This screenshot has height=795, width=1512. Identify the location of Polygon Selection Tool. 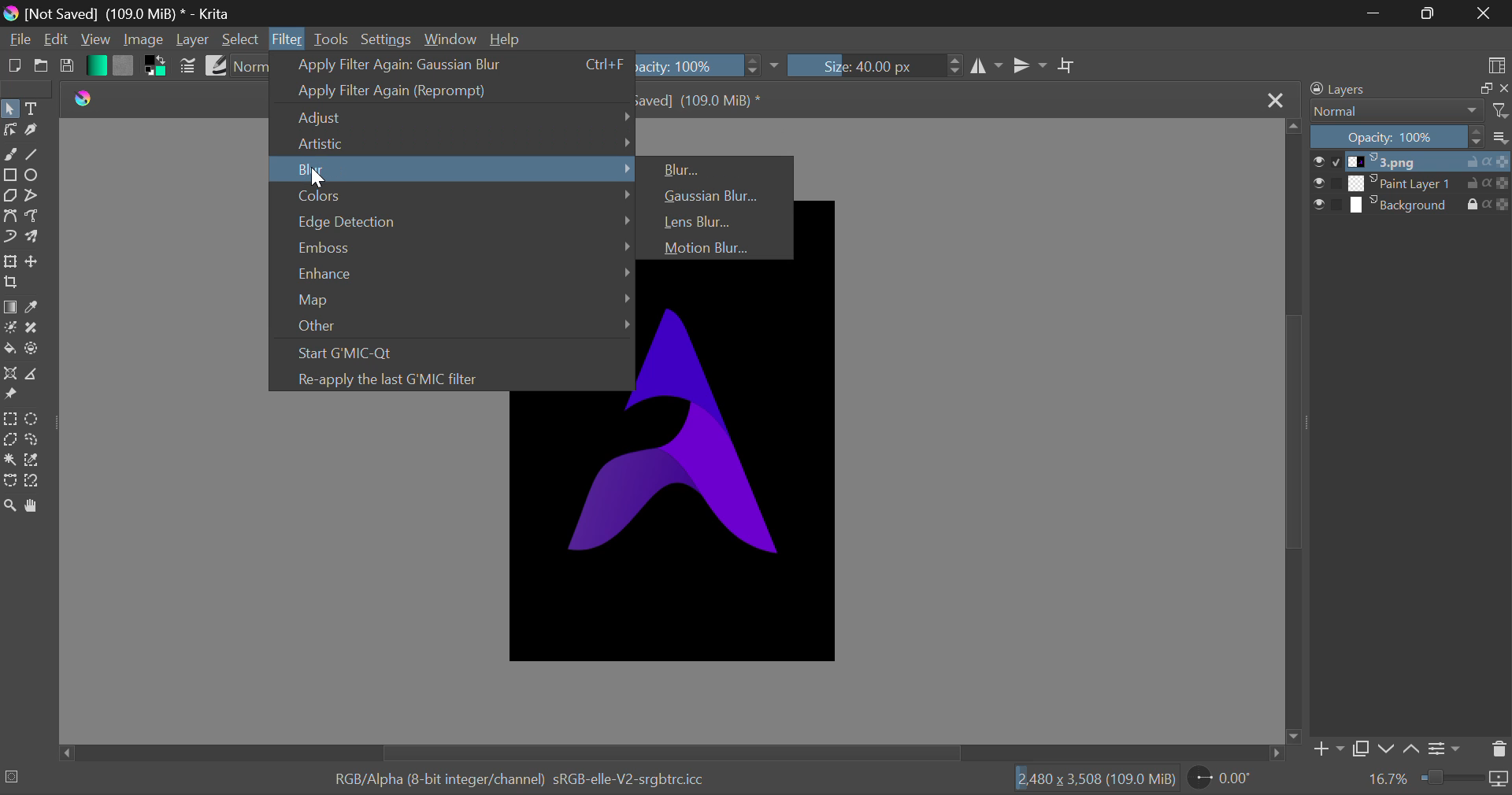
(9, 439).